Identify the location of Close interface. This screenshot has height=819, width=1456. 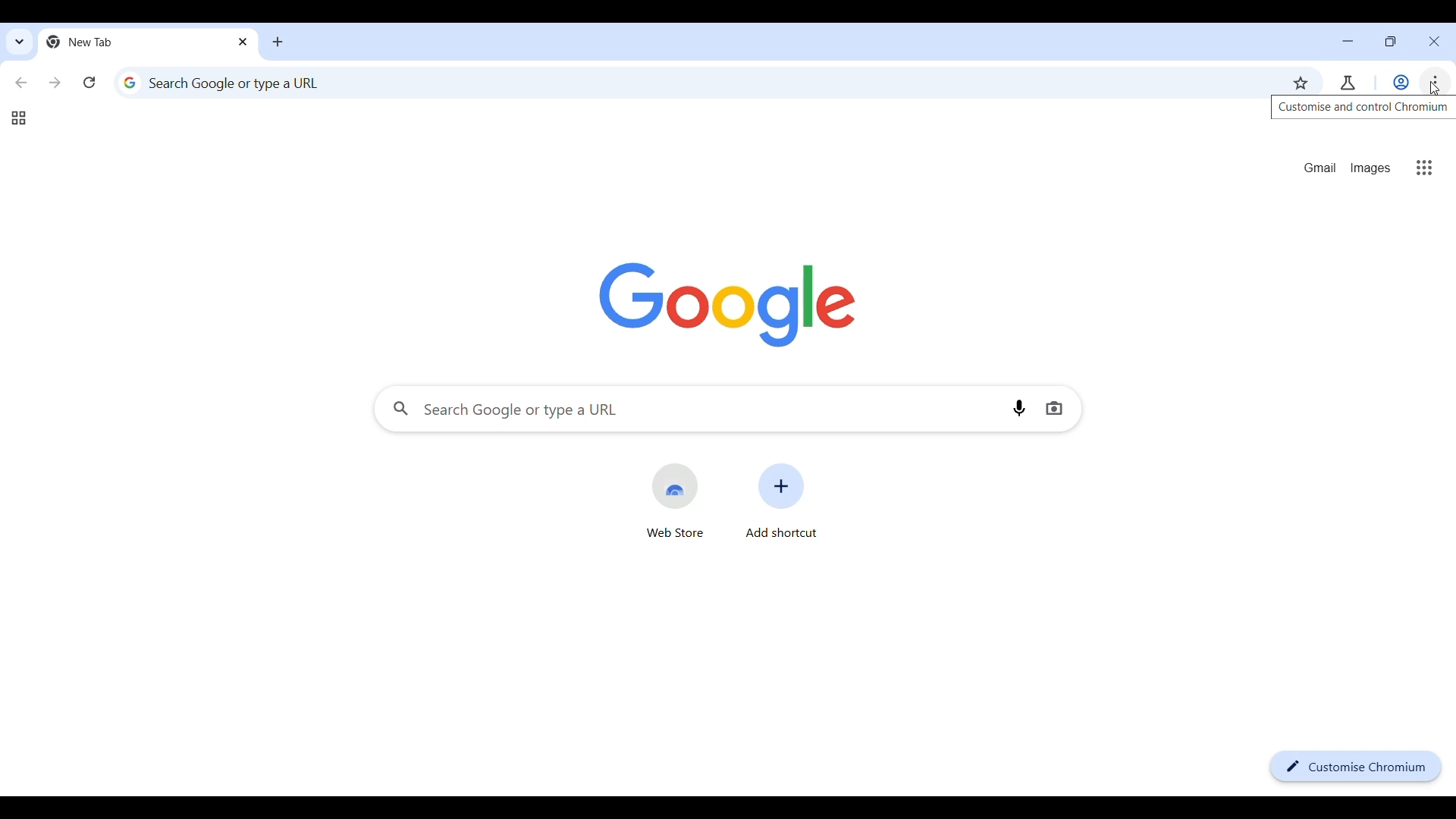
(1435, 42).